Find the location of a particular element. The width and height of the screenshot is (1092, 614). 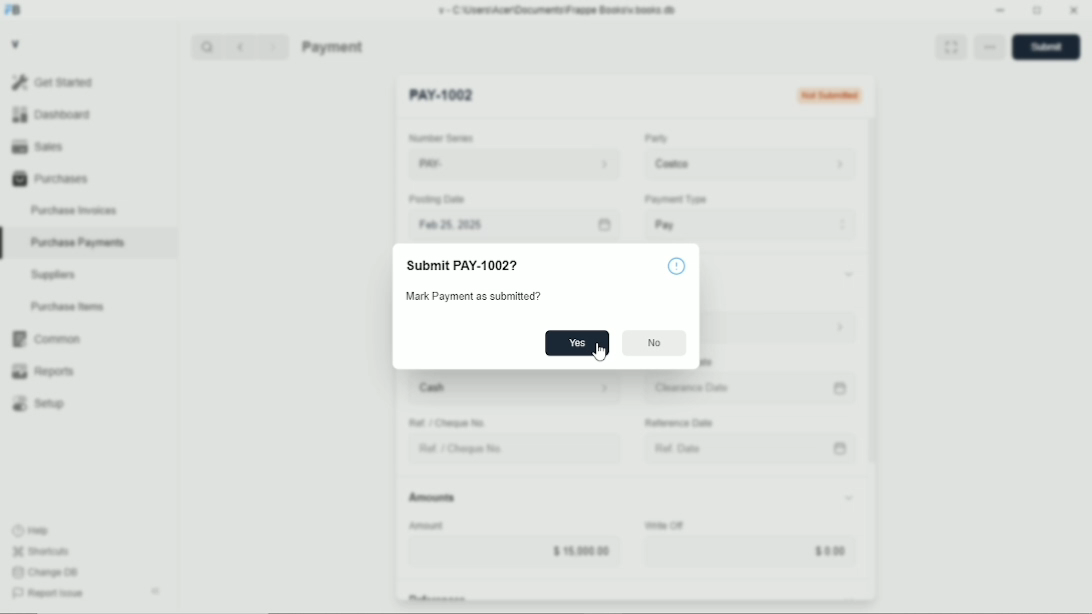

info is located at coordinates (676, 266).